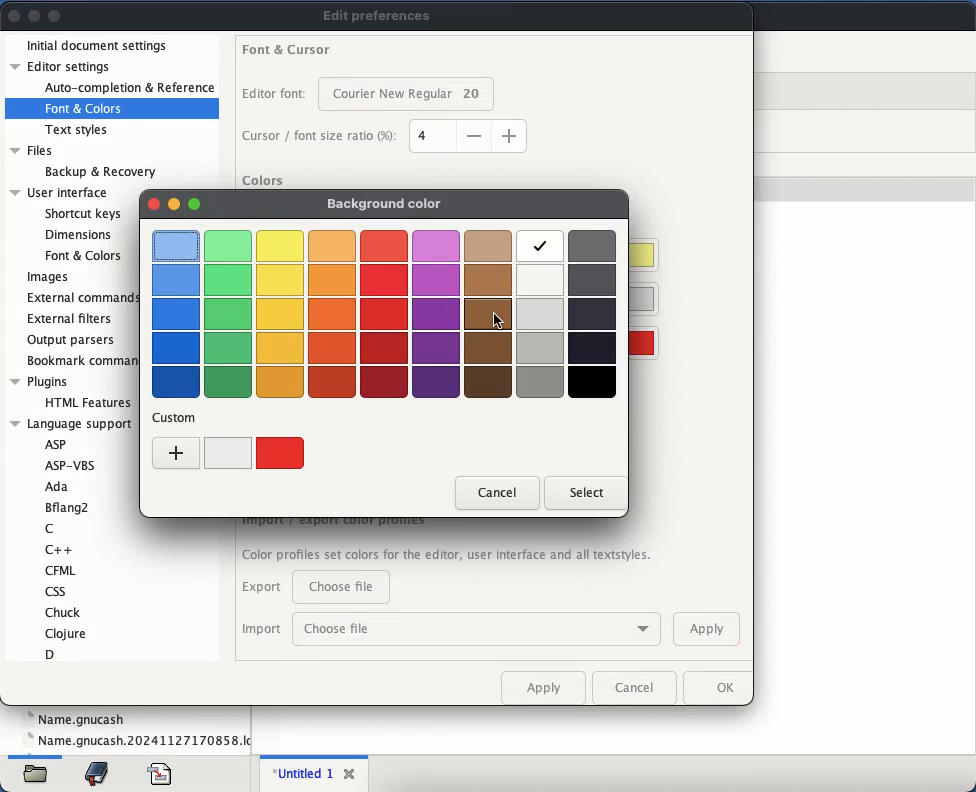  Describe the element at coordinates (137, 741) in the screenshot. I see `name.gnucash` at that location.